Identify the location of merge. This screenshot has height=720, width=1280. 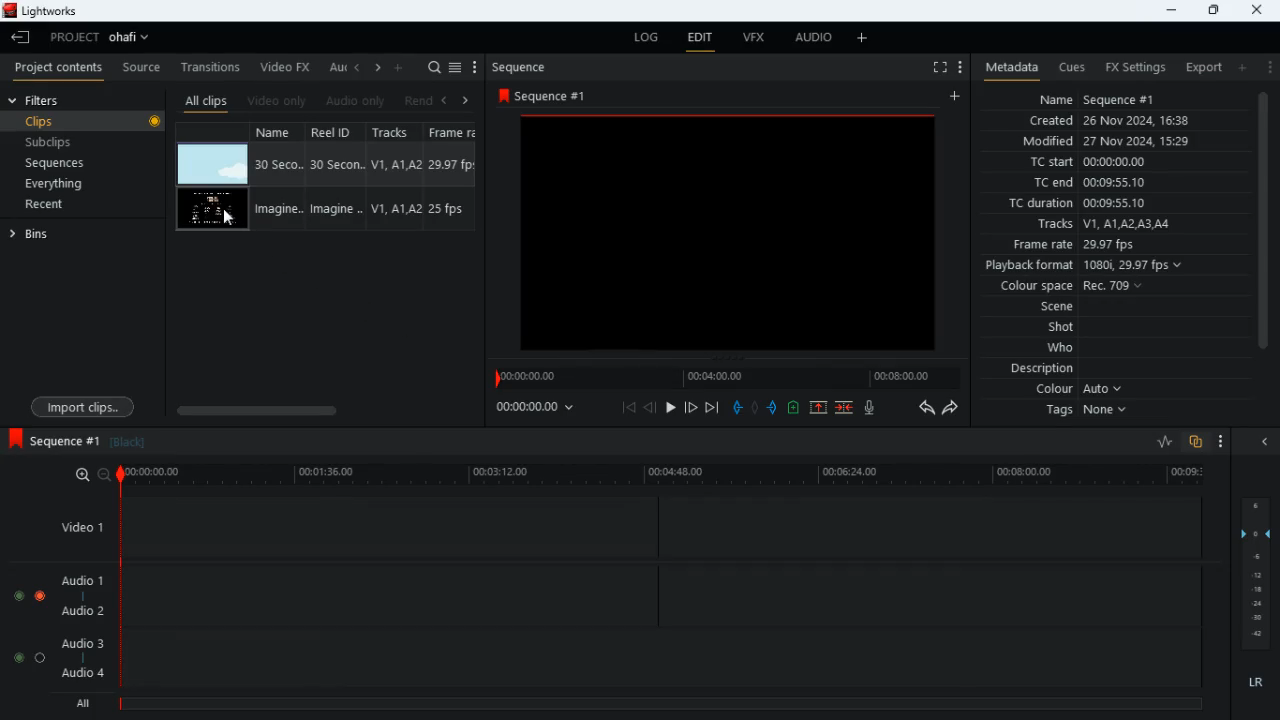
(846, 409).